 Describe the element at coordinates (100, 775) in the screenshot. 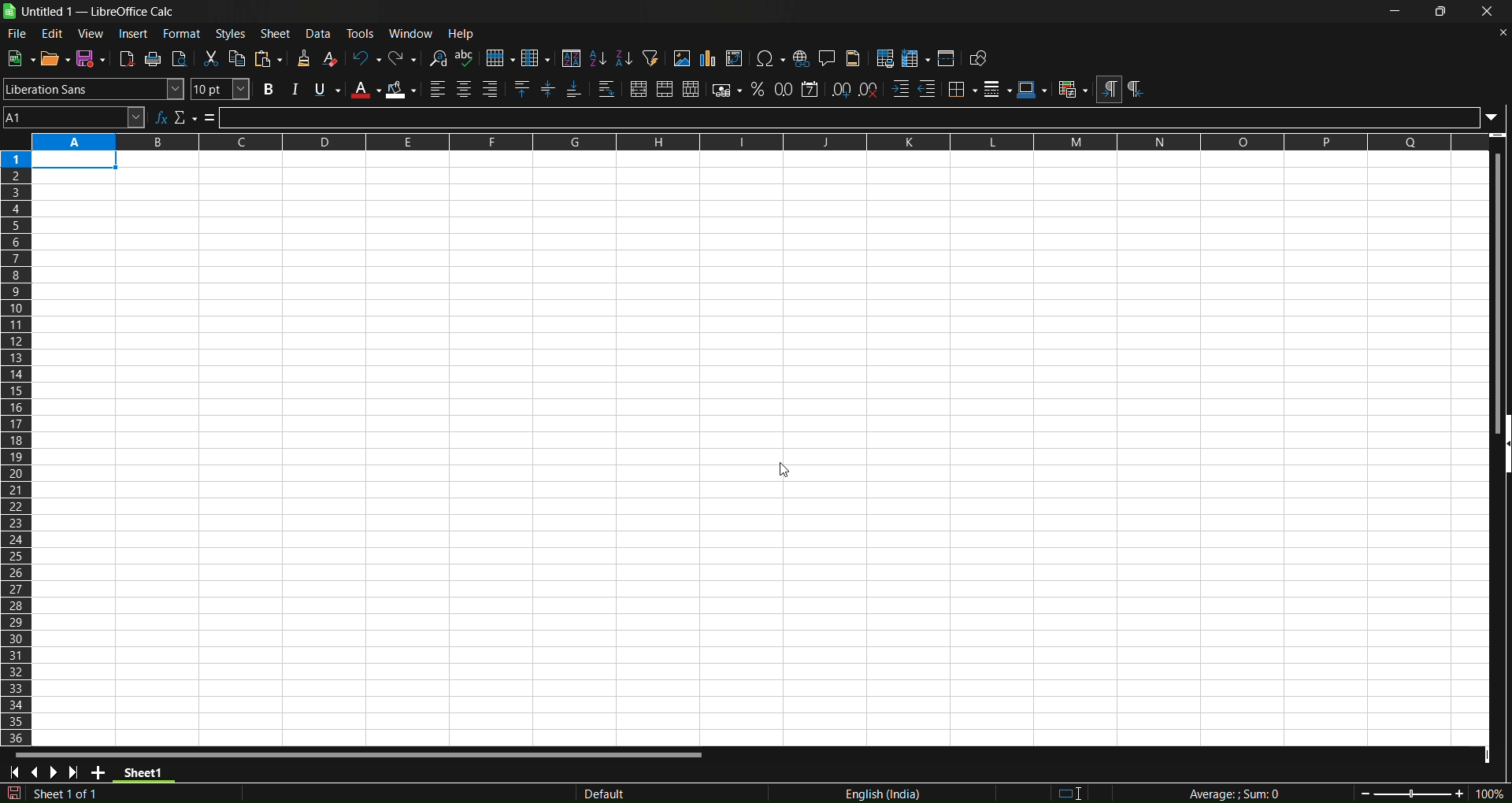

I see `add new sheet` at that location.